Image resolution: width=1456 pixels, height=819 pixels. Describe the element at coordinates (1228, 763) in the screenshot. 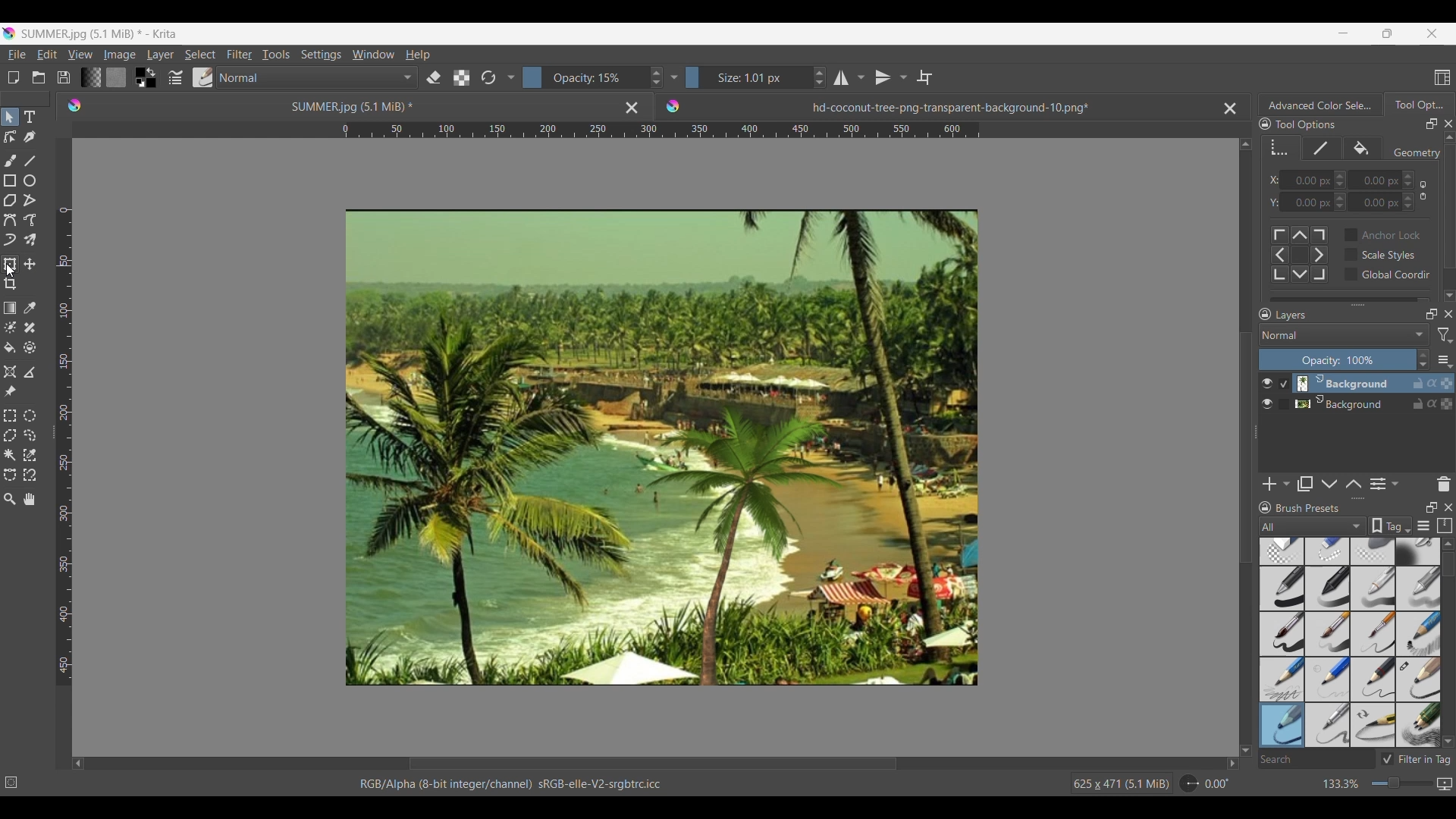

I see `Right` at that location.